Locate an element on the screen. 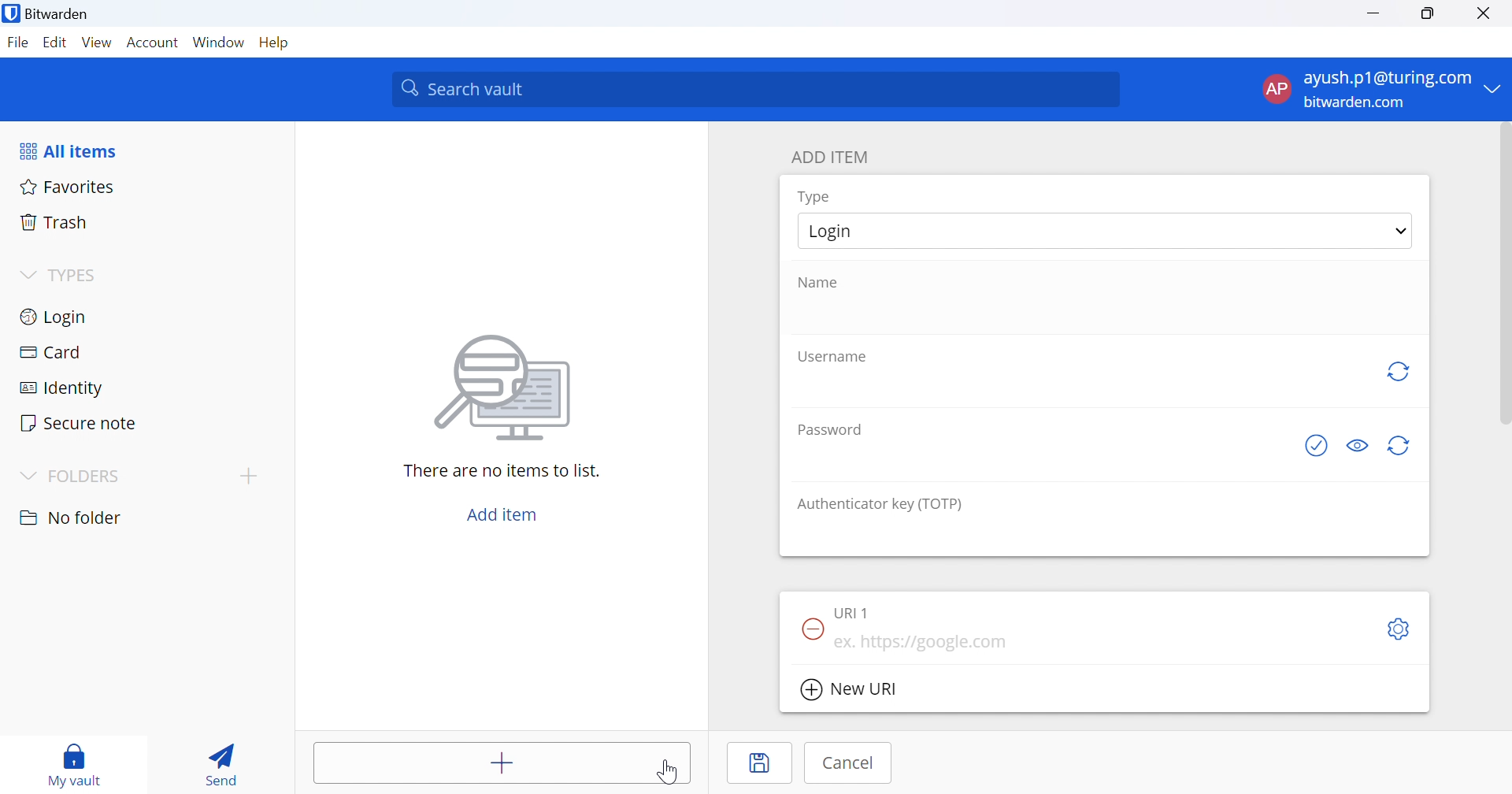 Image resolution: width=1512 pixels, height=794 pixels. Window is located at coordinates (218, 42).